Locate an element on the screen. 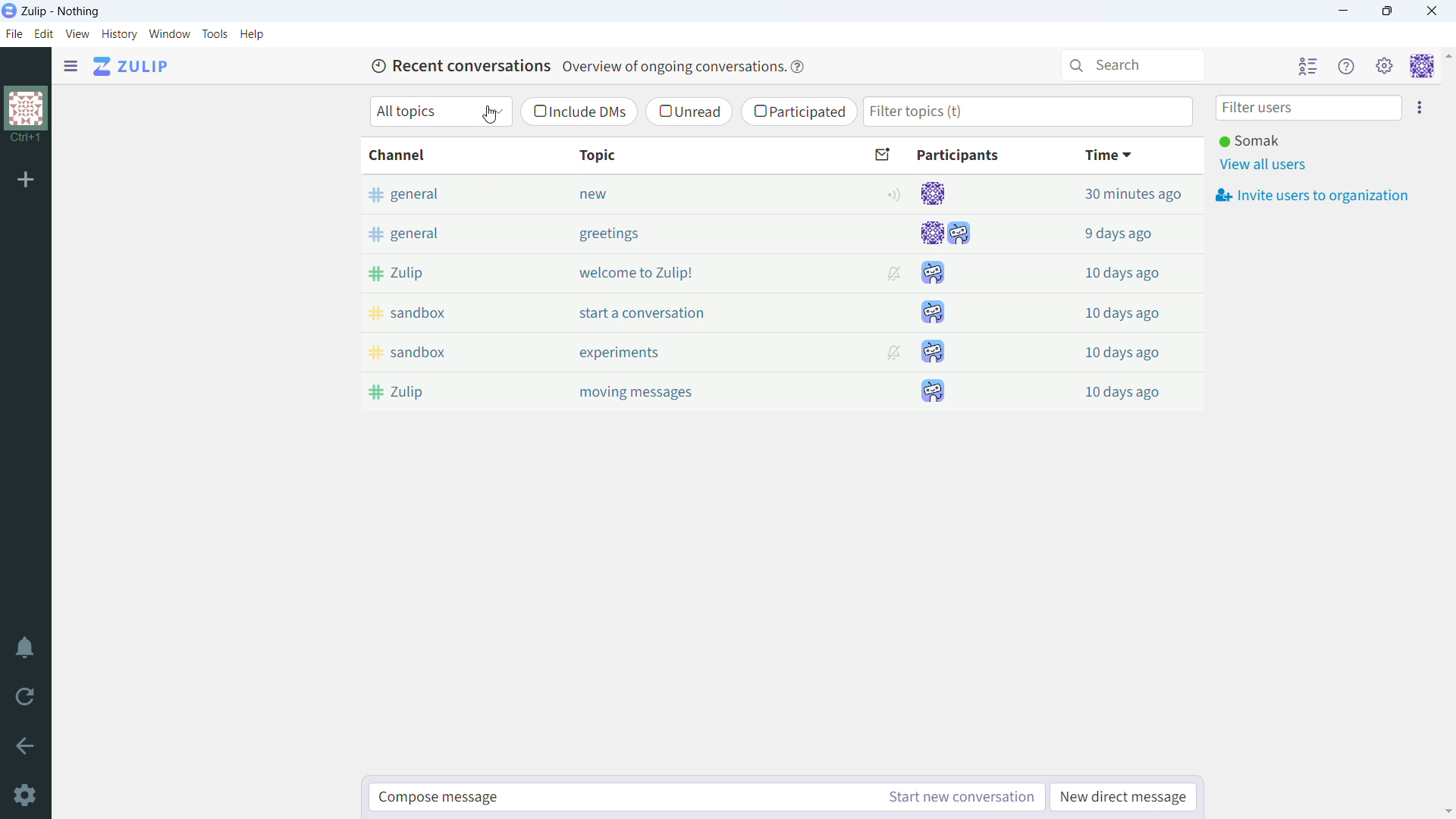  go back is located at coordinates (27, 746).